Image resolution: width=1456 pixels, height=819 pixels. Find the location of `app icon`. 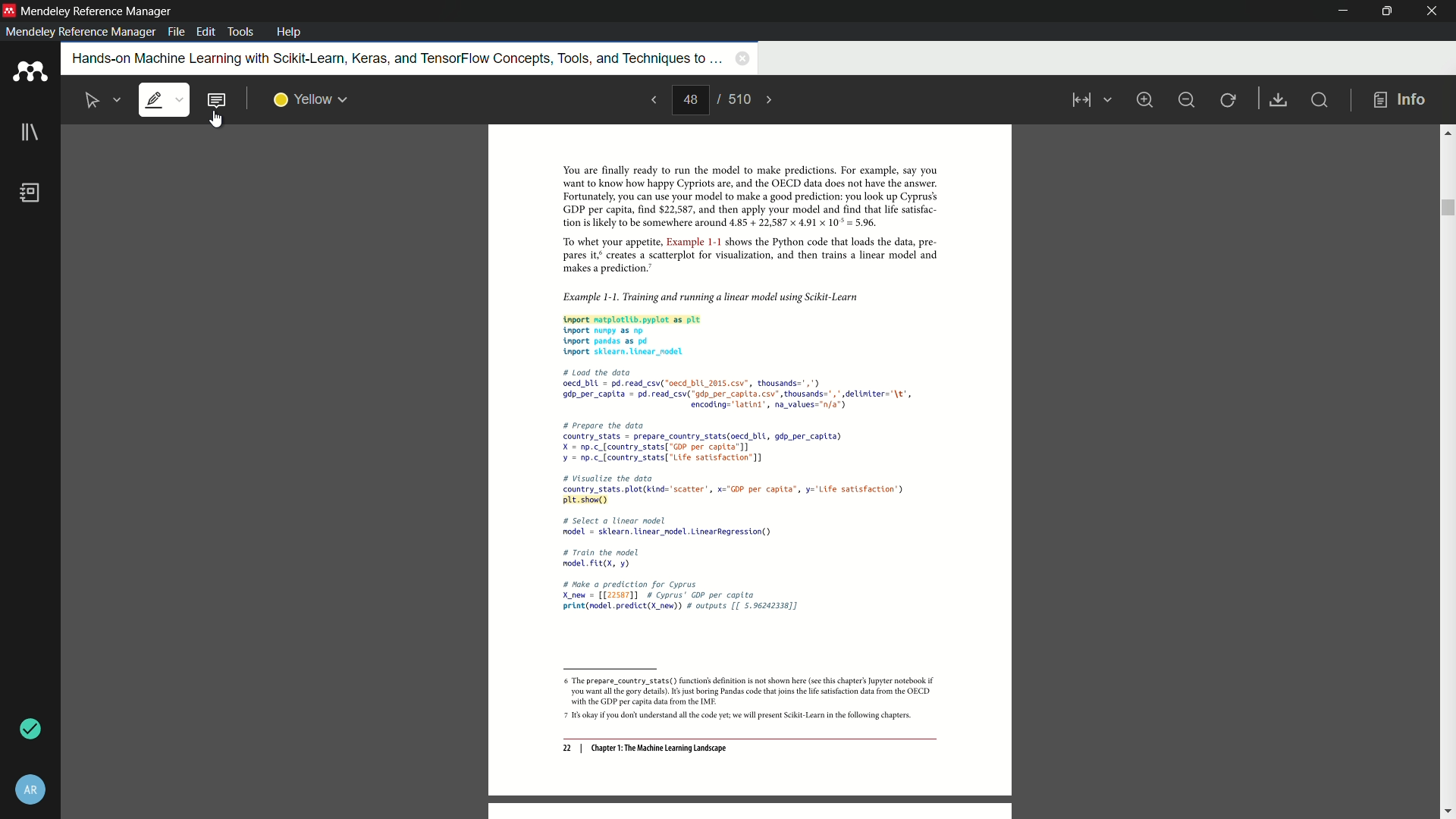

app icon is located at coordinates (30, 72).